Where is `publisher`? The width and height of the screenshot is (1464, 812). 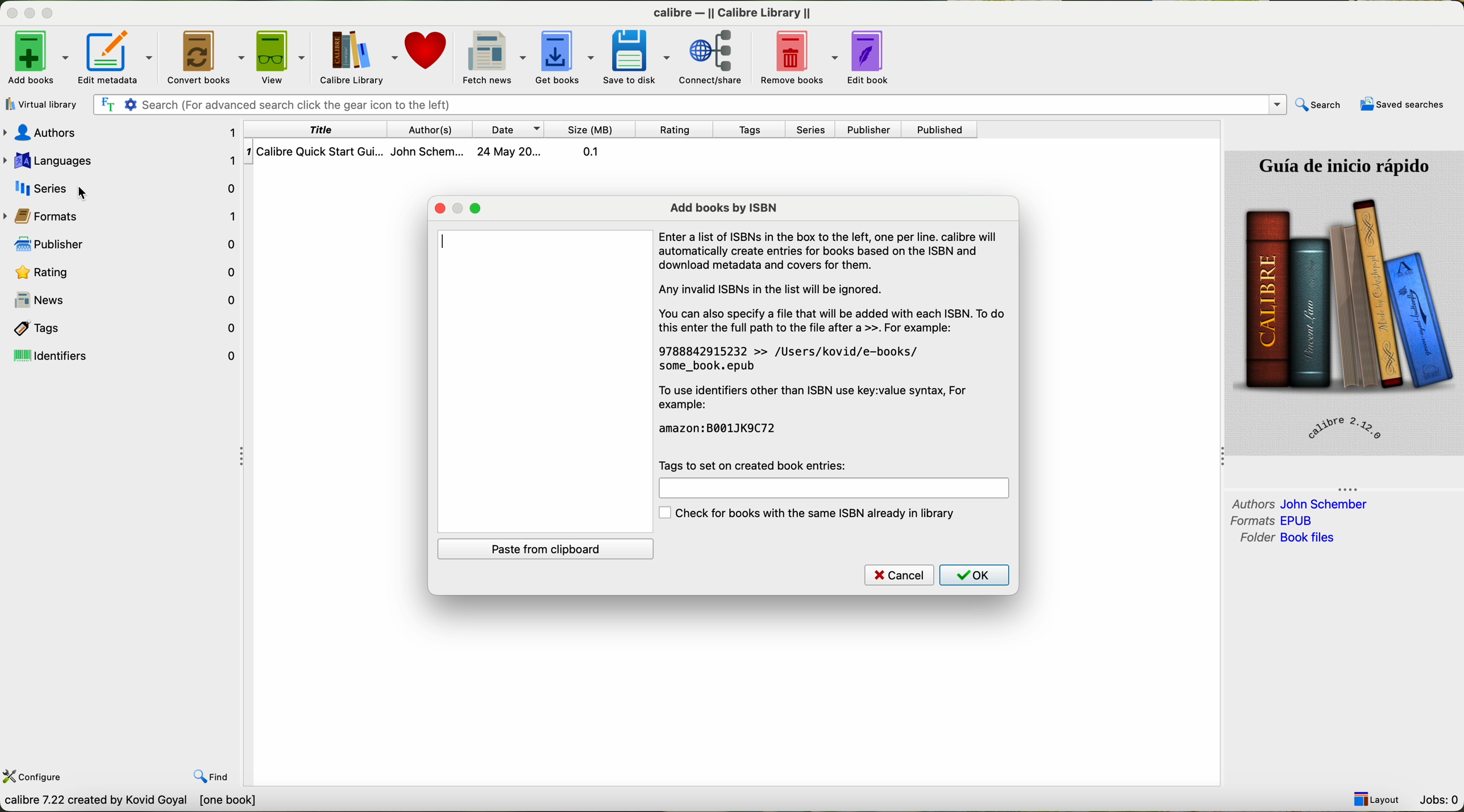 publisher is located at coordinates (868, 129).